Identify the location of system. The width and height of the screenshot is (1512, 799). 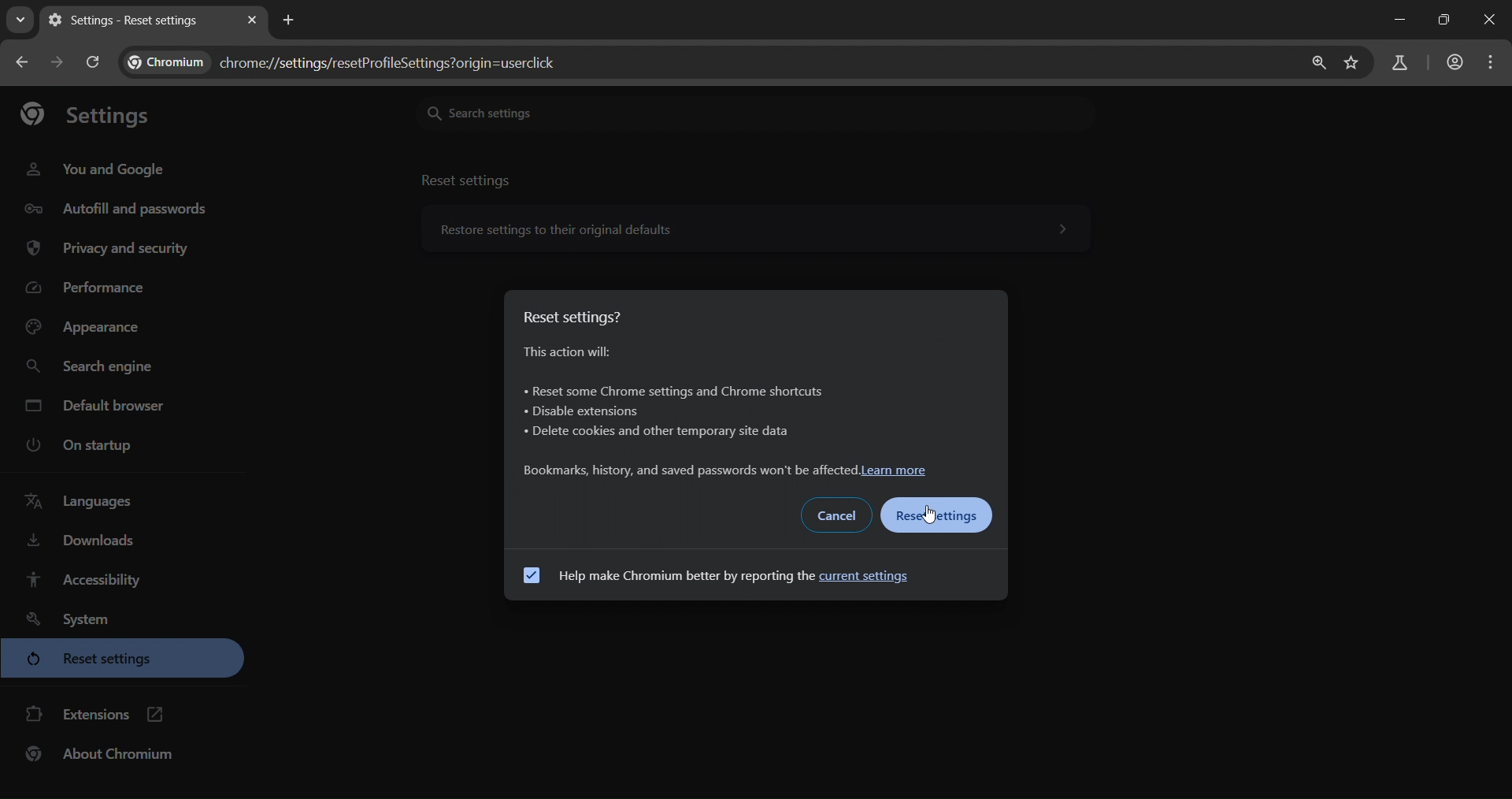
(72, 619).